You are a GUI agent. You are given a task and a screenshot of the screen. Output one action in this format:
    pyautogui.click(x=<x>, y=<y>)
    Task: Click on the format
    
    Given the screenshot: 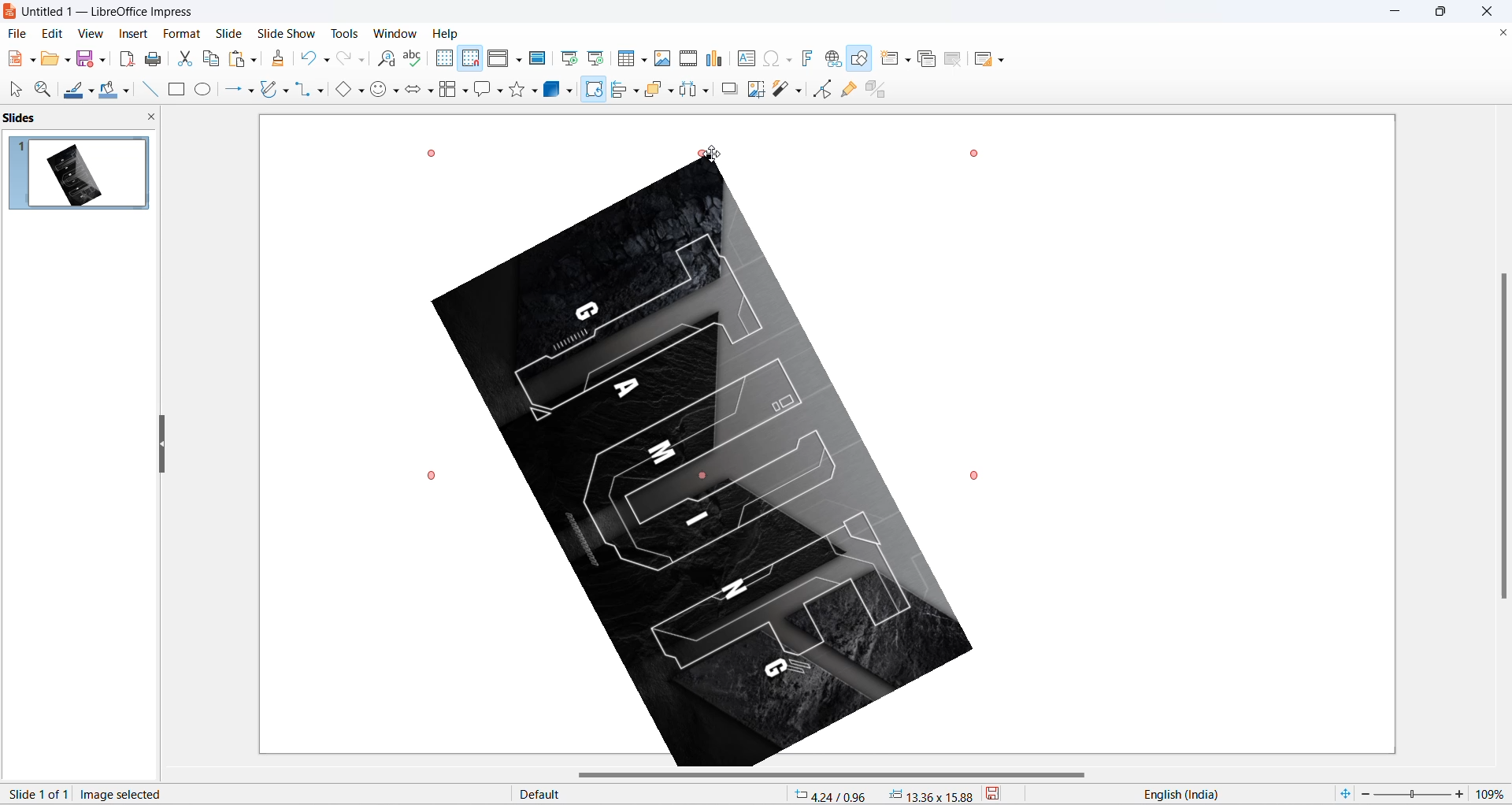 What is the action you would take?
    pyautogui.click(x=179, y=35)
    